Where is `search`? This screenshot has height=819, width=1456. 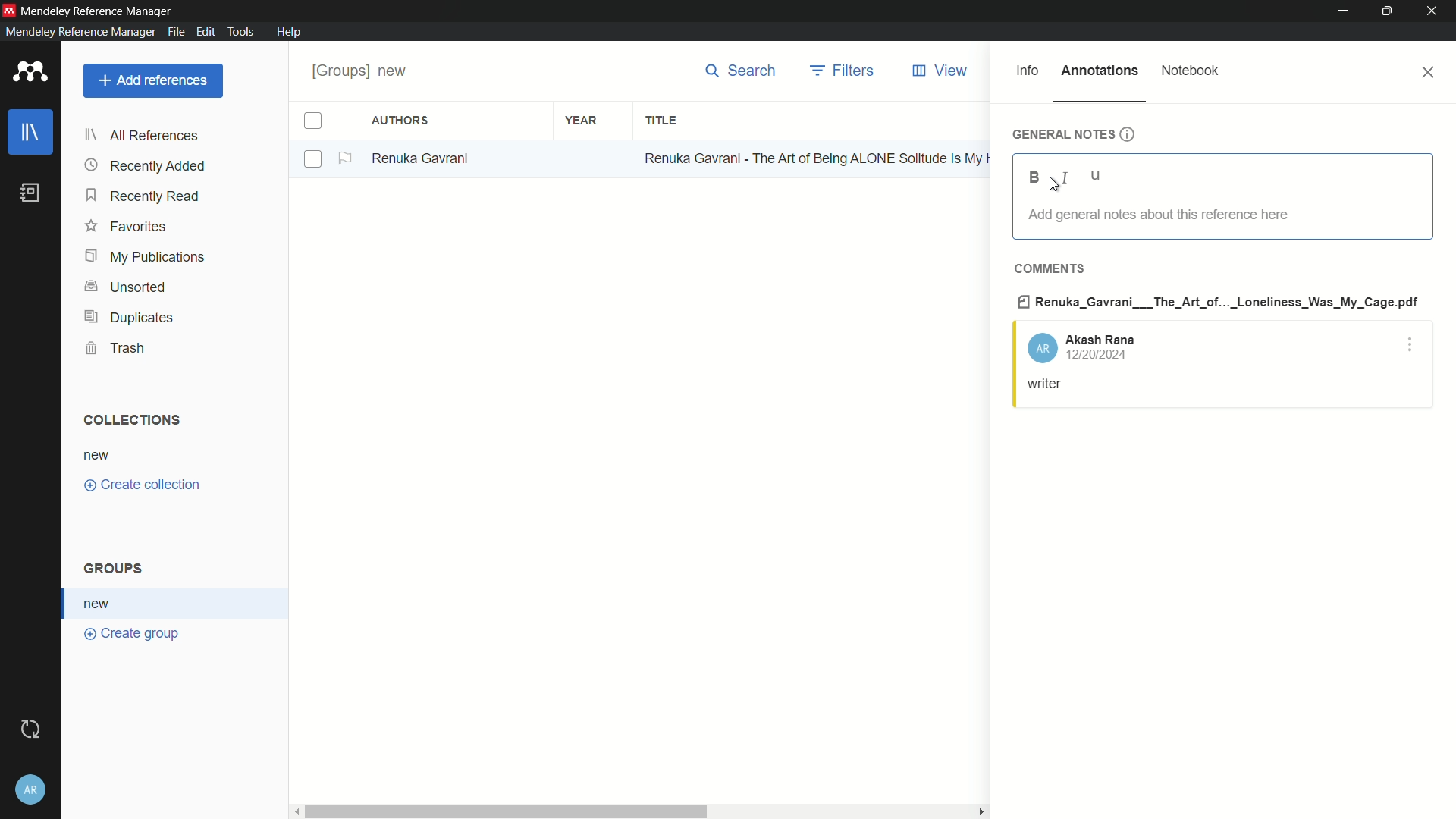 search is located at coordinates (740, 71).